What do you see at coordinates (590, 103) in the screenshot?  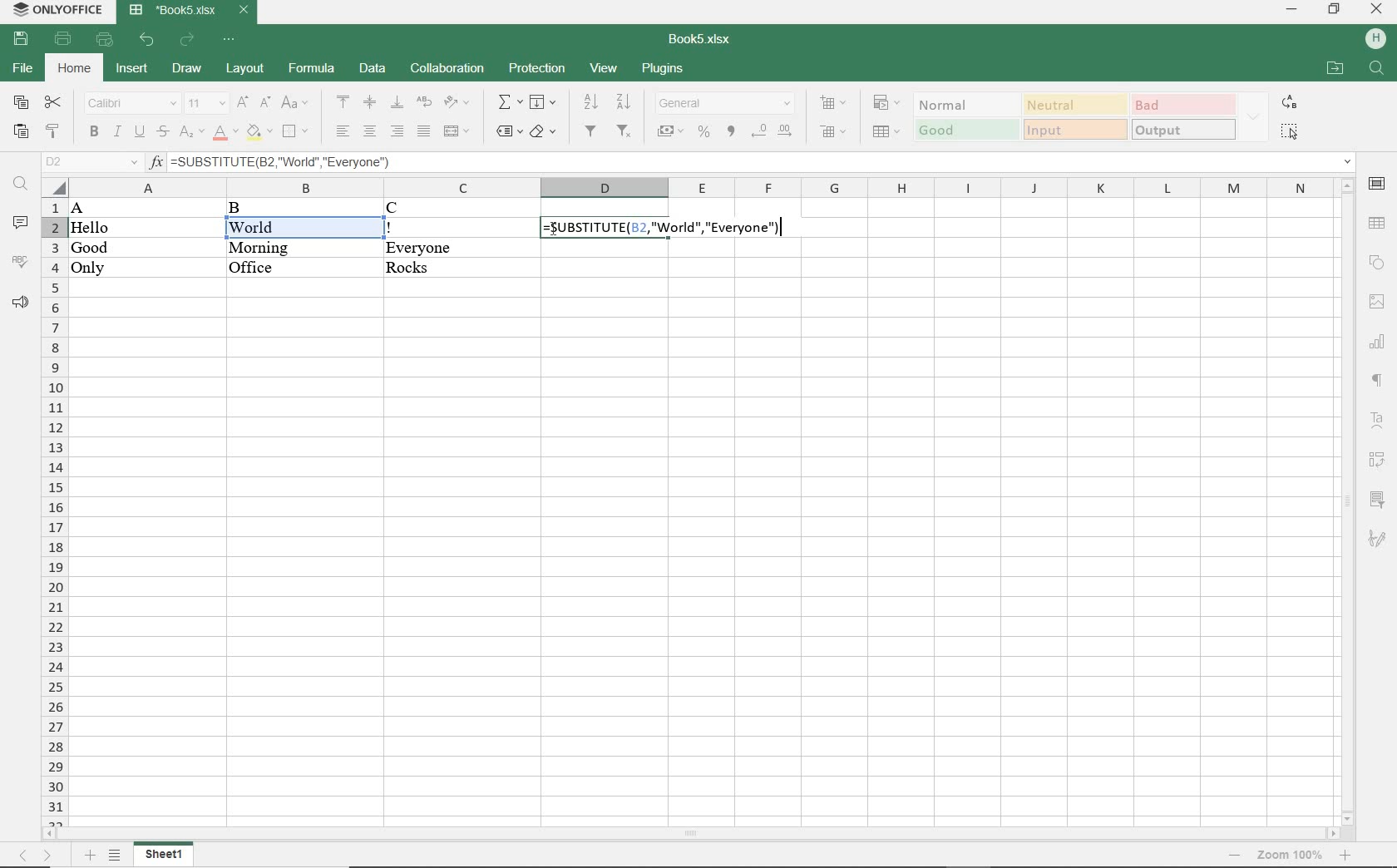 I see `sort ascending` at bounding box center [590, 103].